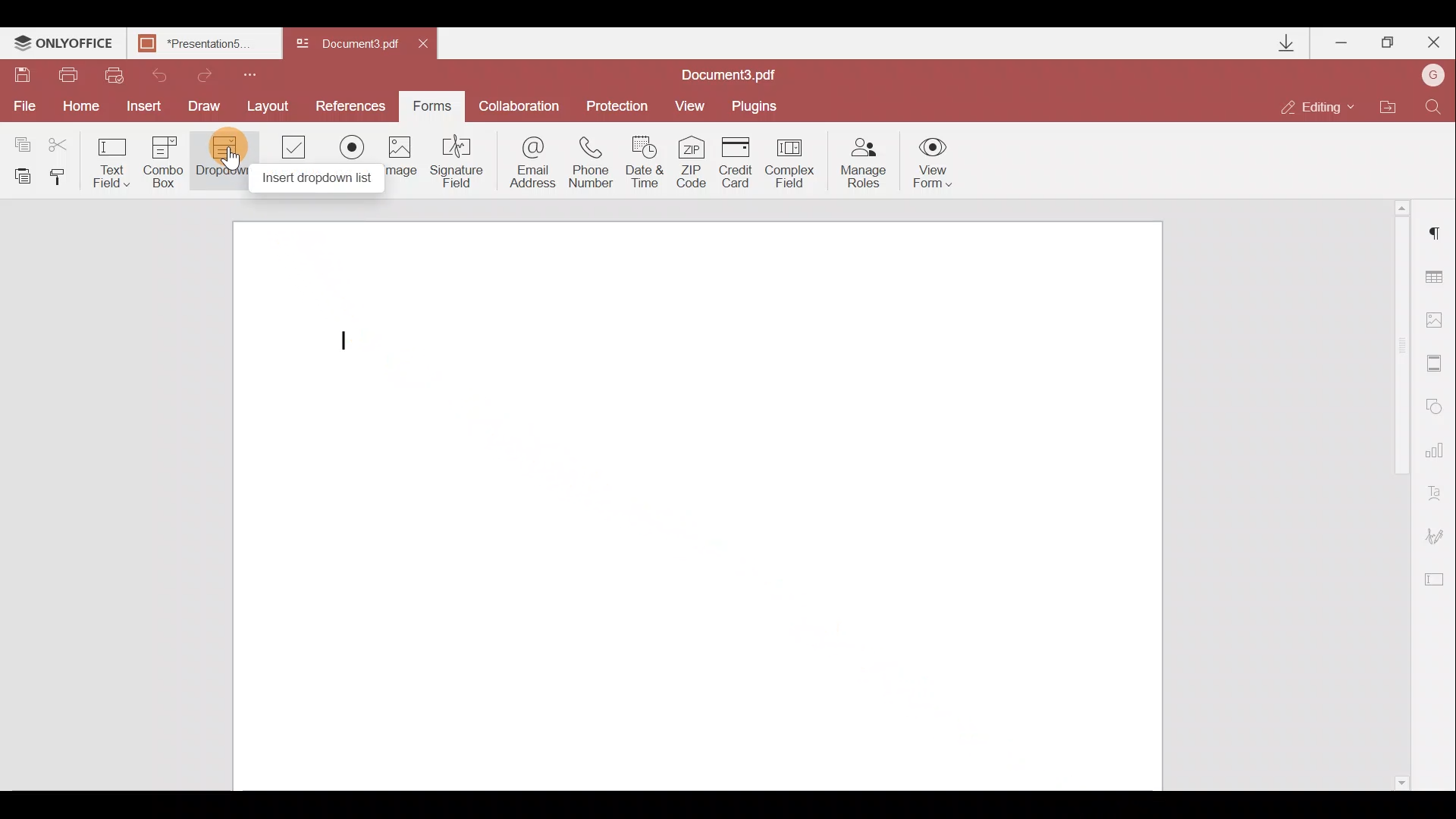  What do you see at coordinates (757, 104) in the screenshot?
I see `Plugins` at bounding box center [757, 104].